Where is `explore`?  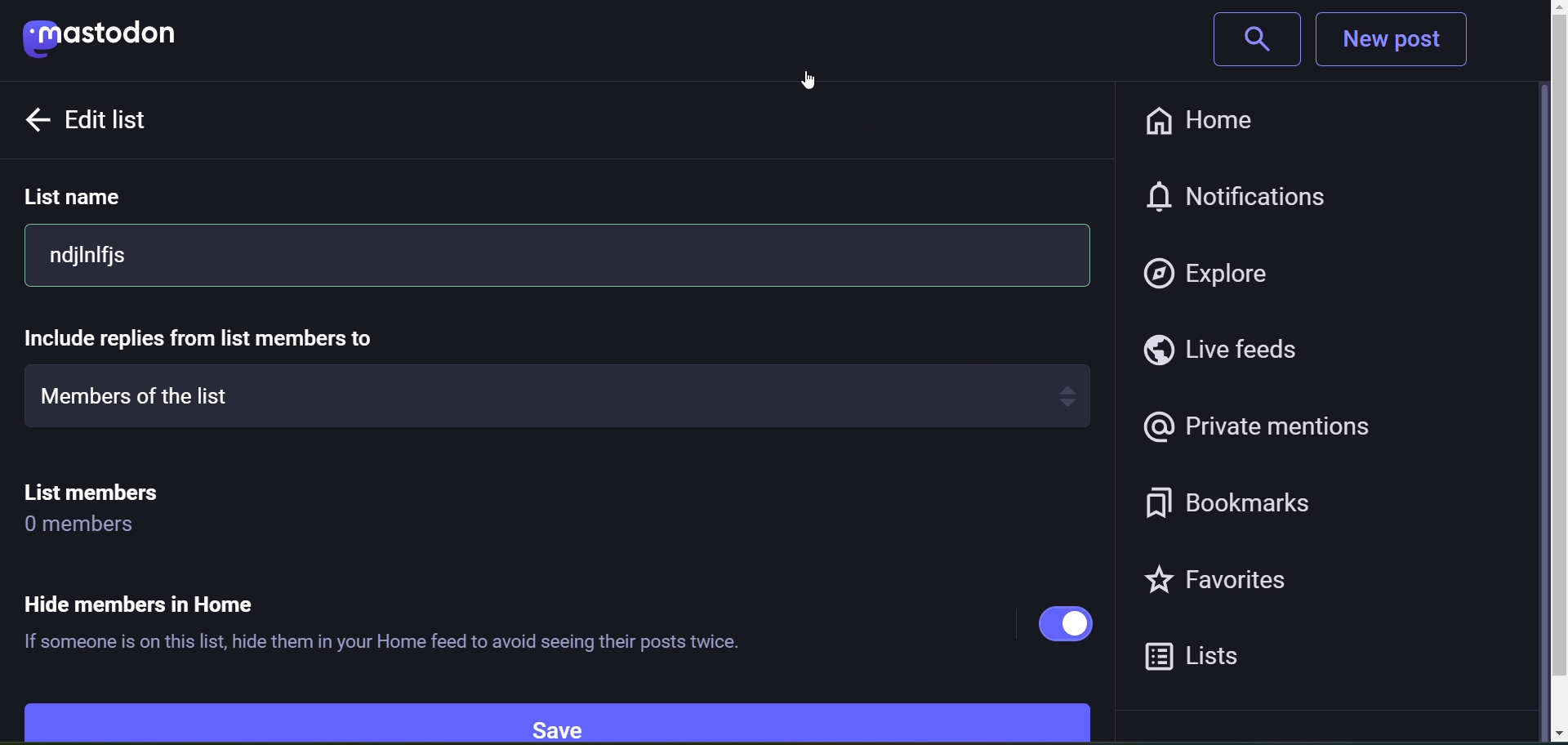 explore is located at coordinates (1214, 273).